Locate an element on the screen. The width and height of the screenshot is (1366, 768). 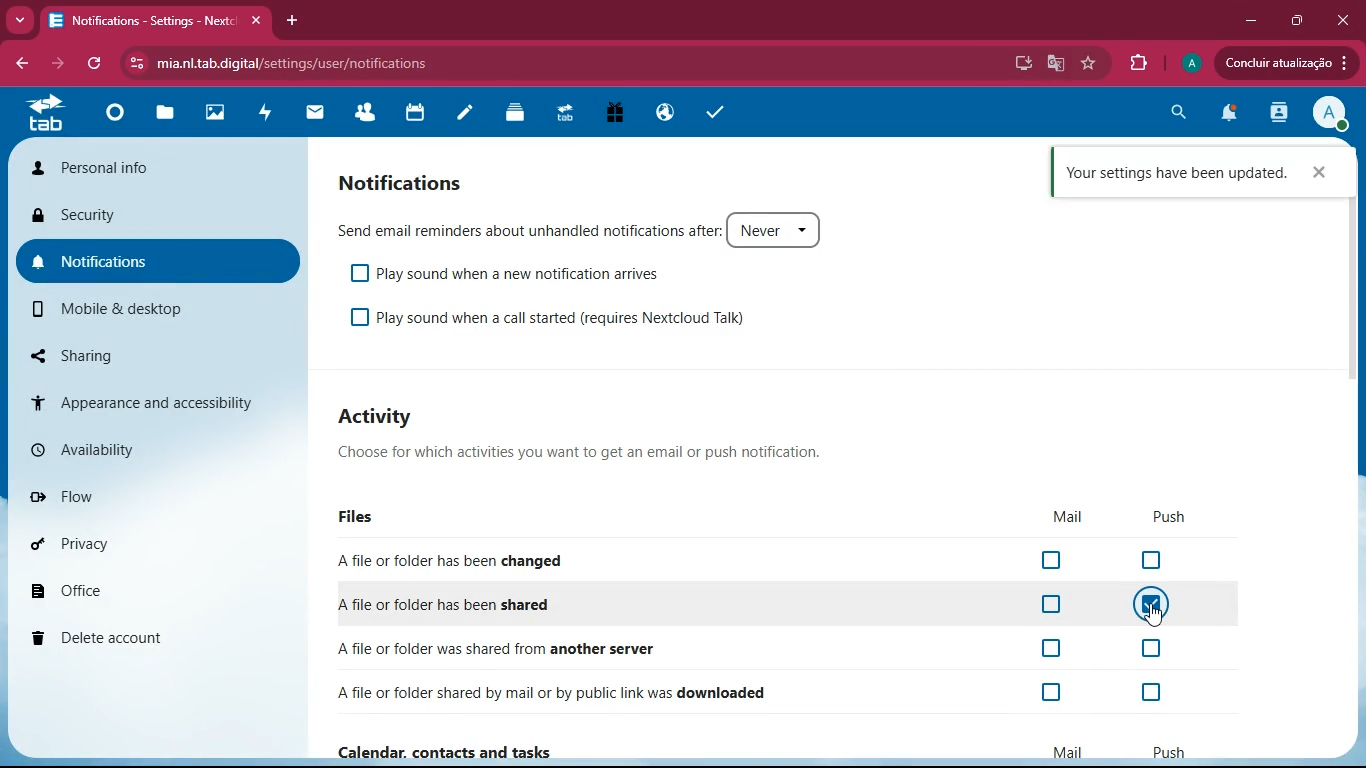
more is located at coordinates (19, 20).